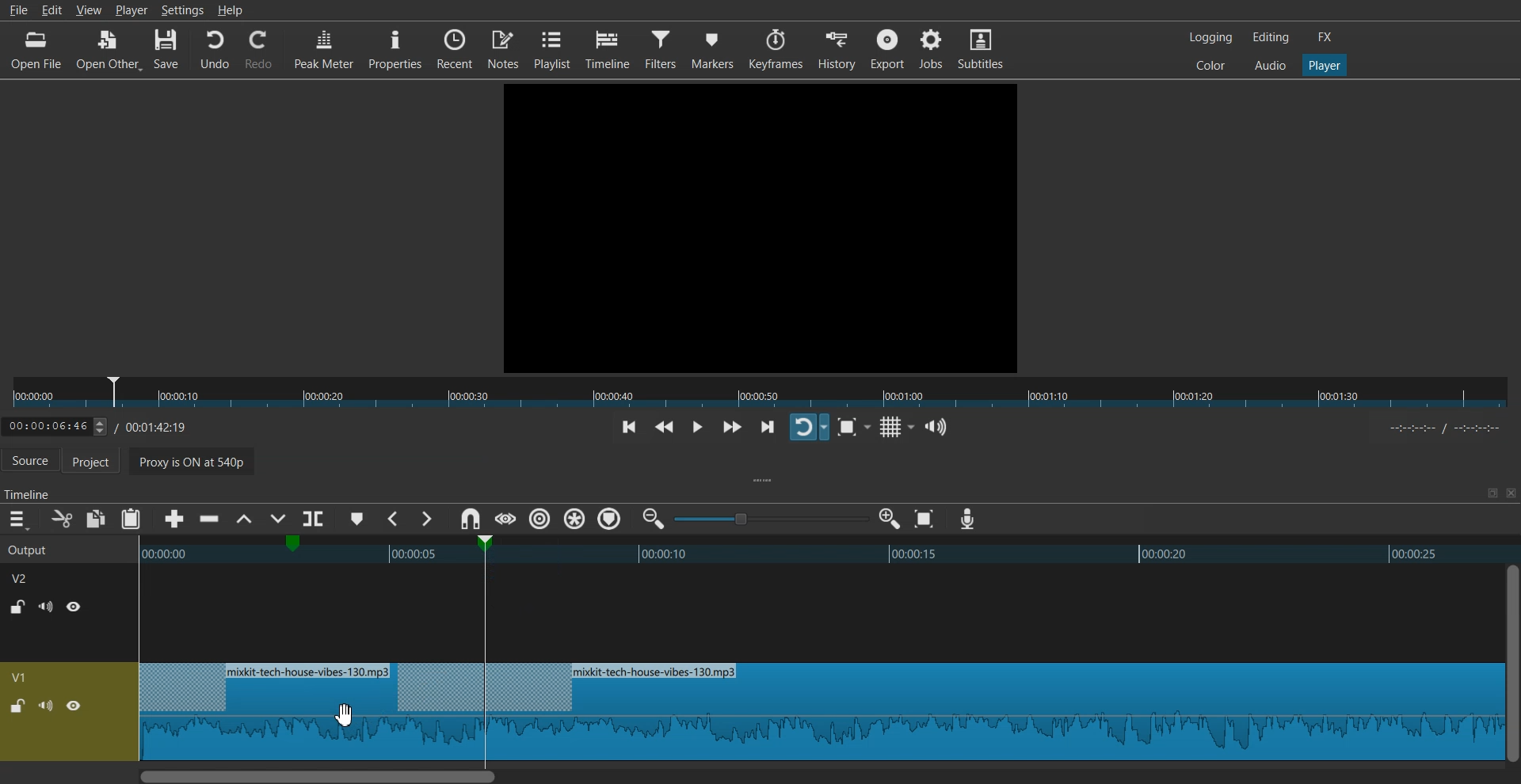  Describe the element at coordinates (663, 48) in the screenshot. I see `Filters` at that location.